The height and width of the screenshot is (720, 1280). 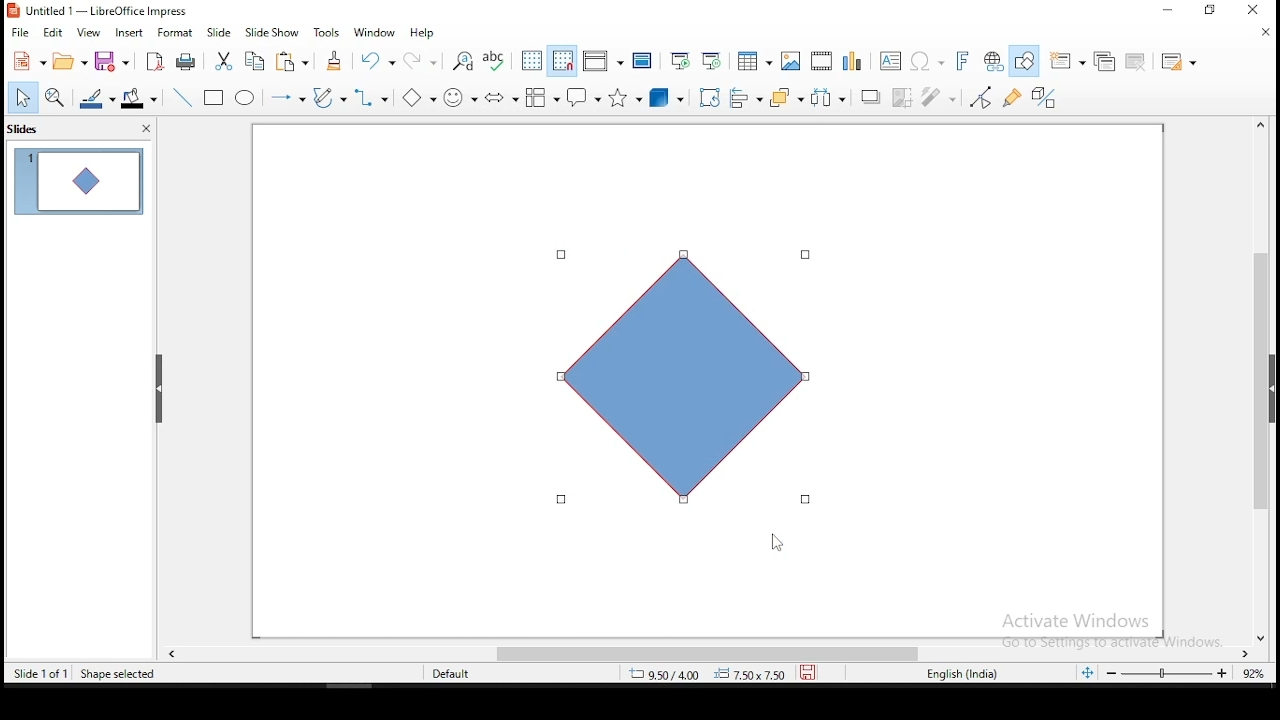 I want to click on view, so click(x=87, y=32).